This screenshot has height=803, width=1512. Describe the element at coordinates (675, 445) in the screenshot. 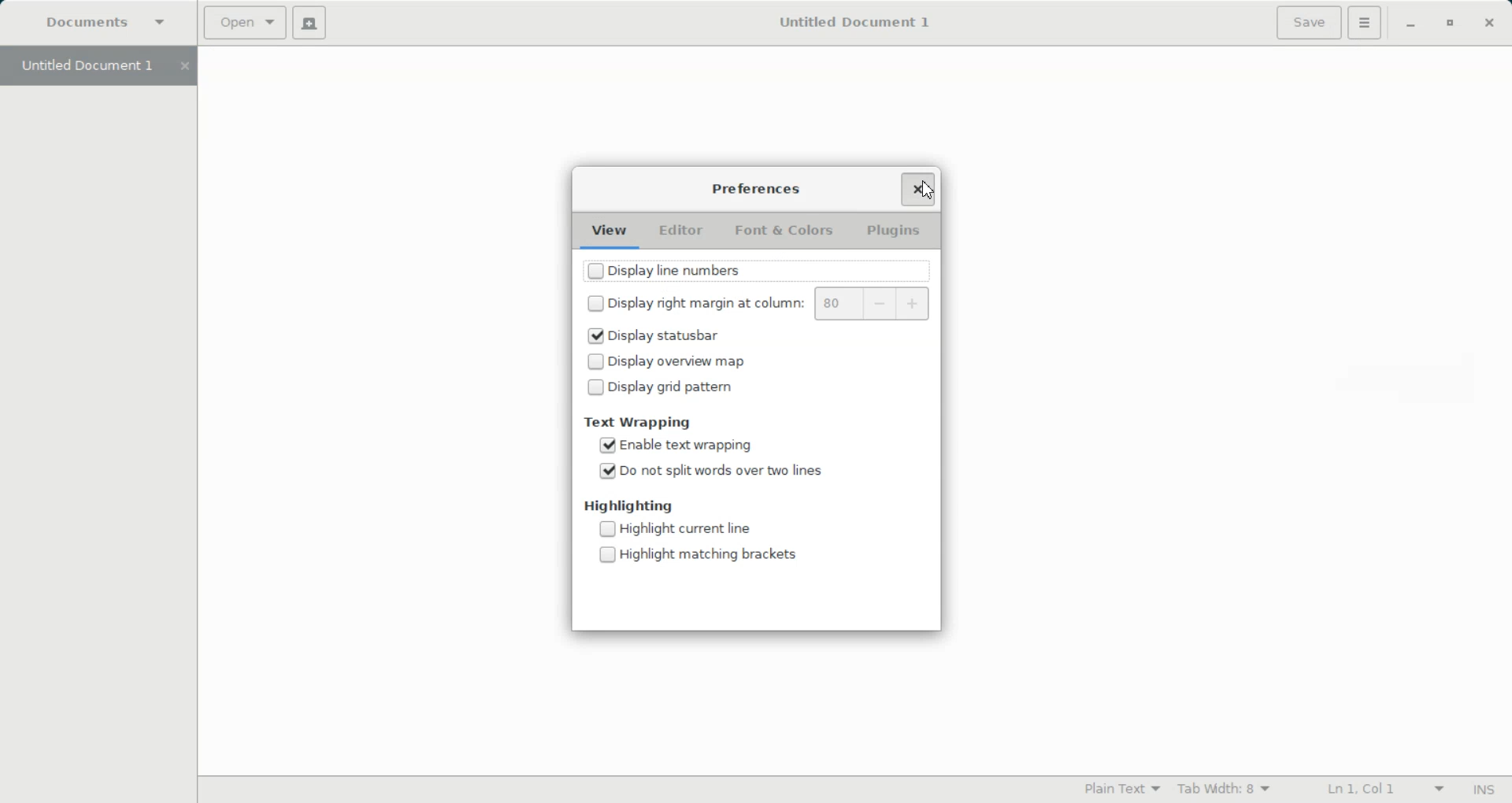

I see `(un)check Enable text wrapping` at that location.